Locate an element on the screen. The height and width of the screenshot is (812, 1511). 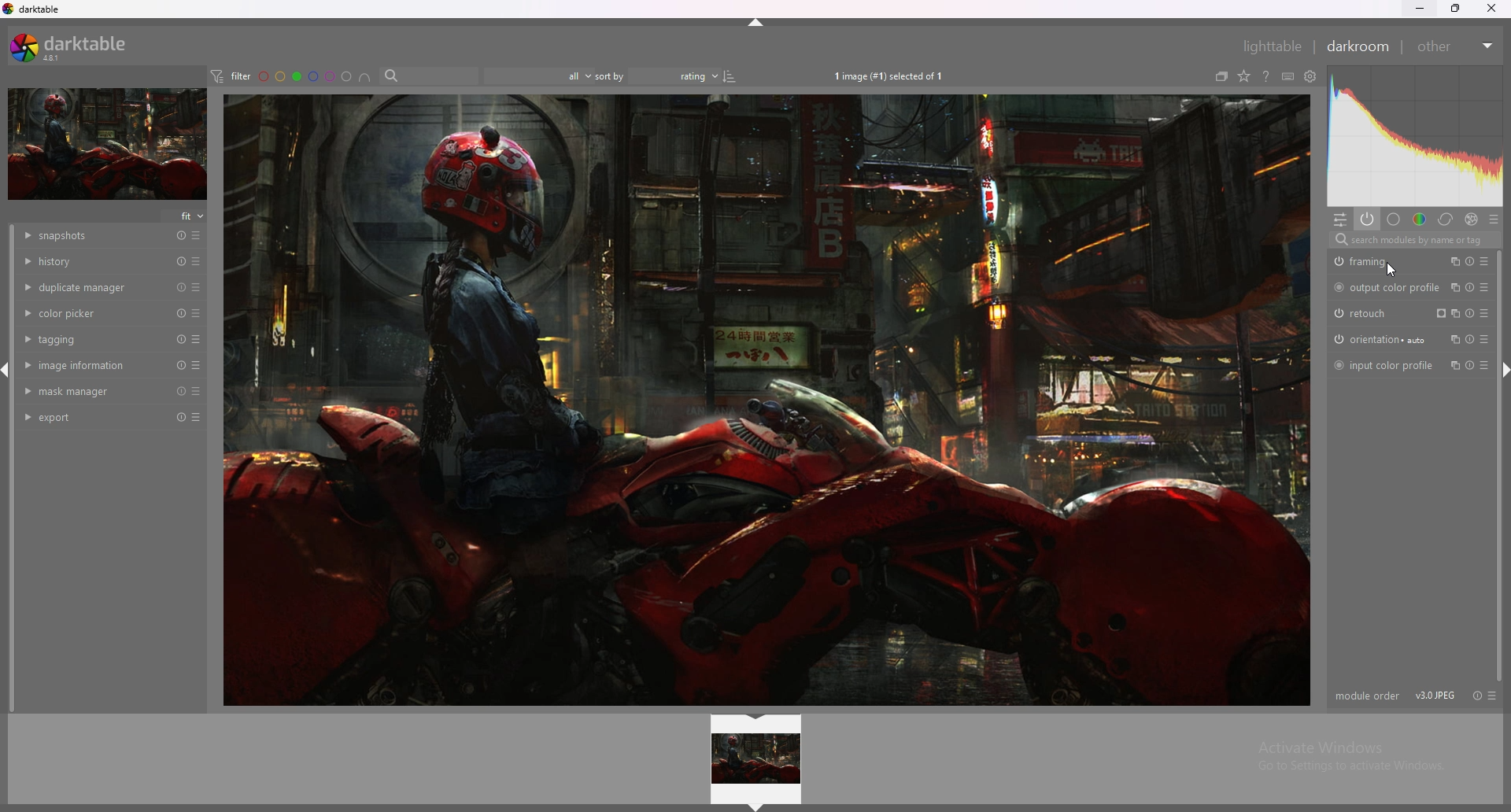
reset is located at coordinates (182, 314).